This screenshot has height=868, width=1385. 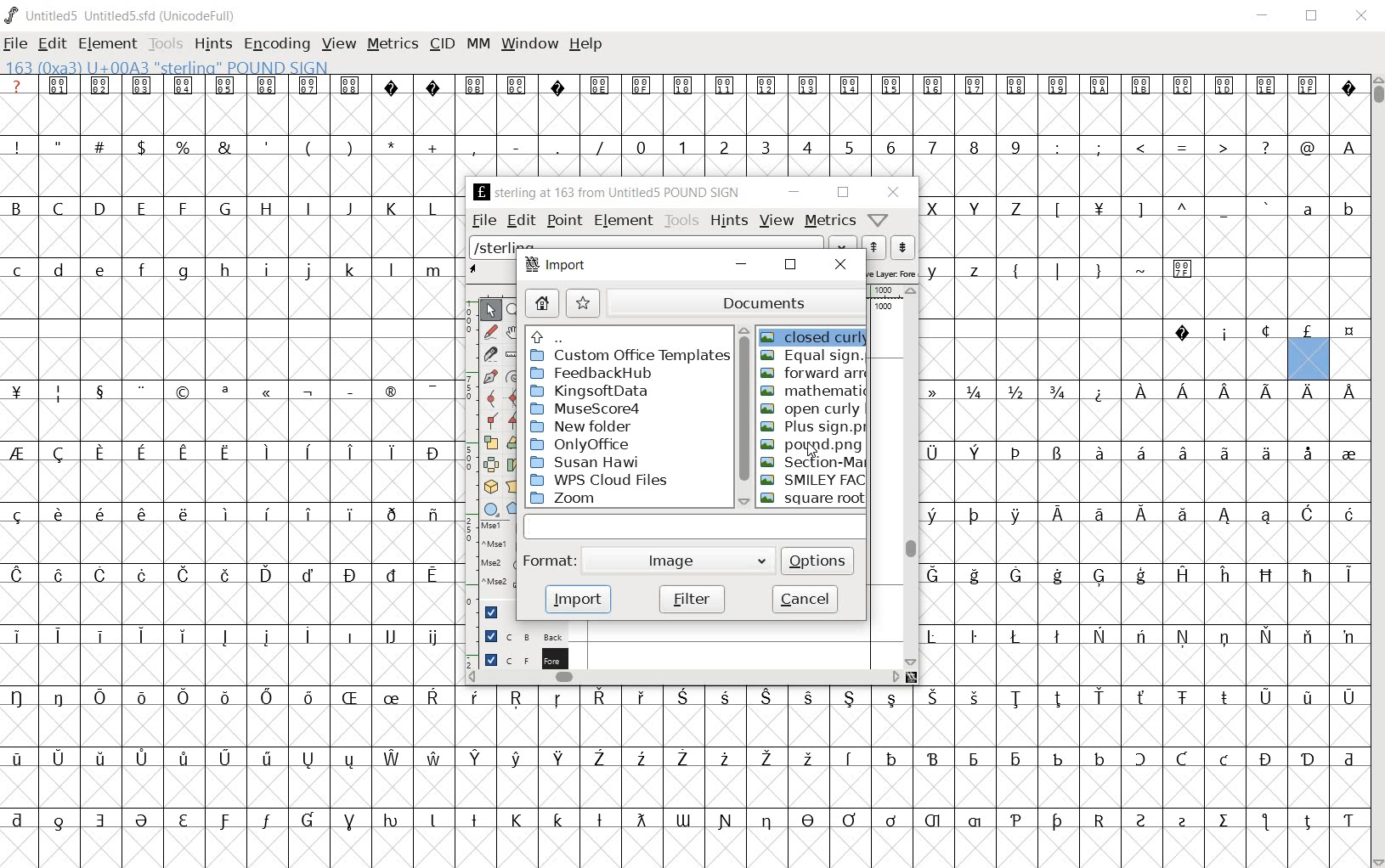 What do you see at coordinates (579, 497) in the screenshot?
I see `Zoom` at bounding box center [579, 497].